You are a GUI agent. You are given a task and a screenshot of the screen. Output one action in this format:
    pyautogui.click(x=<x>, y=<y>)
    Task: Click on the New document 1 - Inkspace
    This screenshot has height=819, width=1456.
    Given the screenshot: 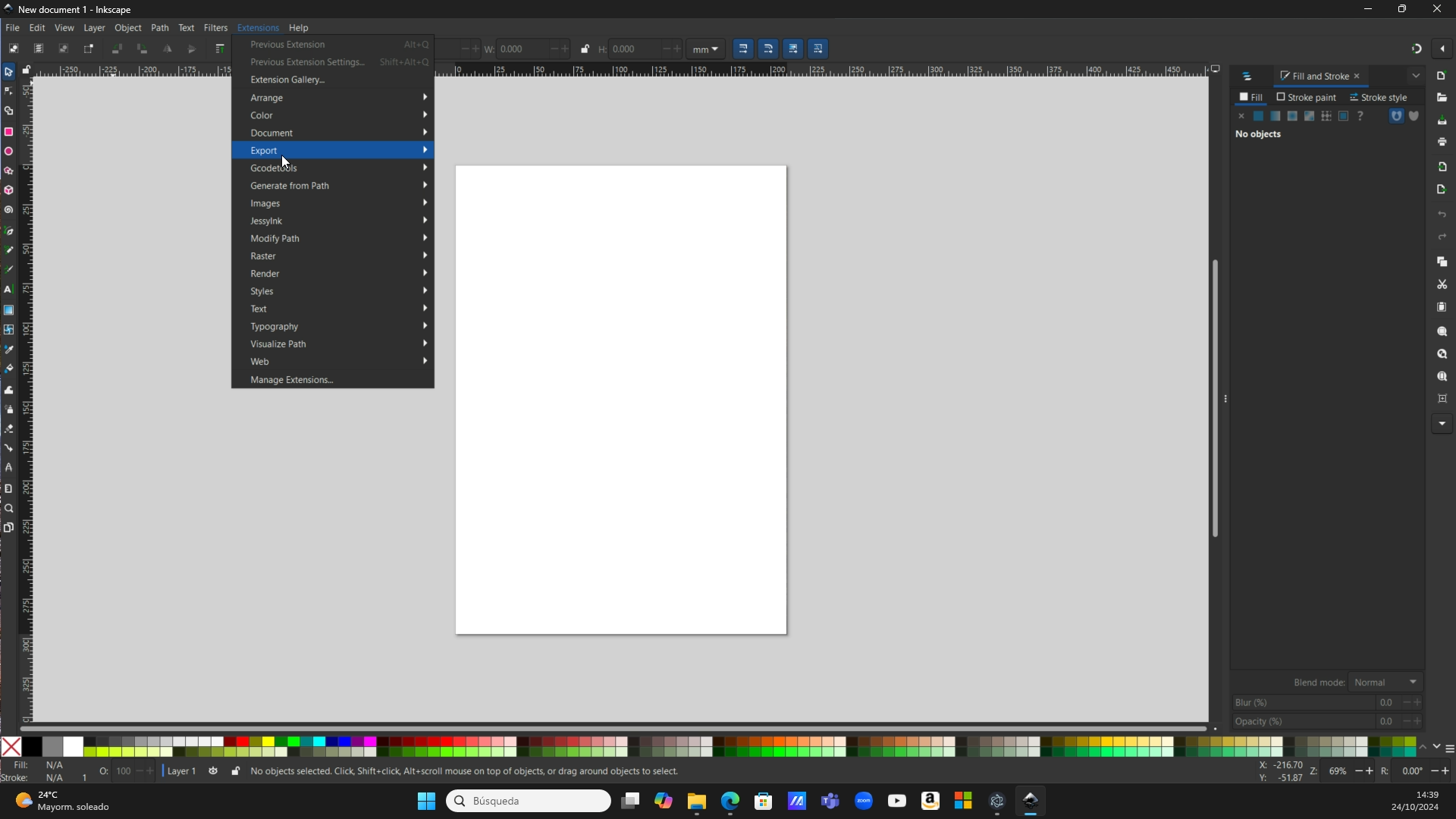 What is the action you would take?
    pyautogui.click(x=74, y=9)
    